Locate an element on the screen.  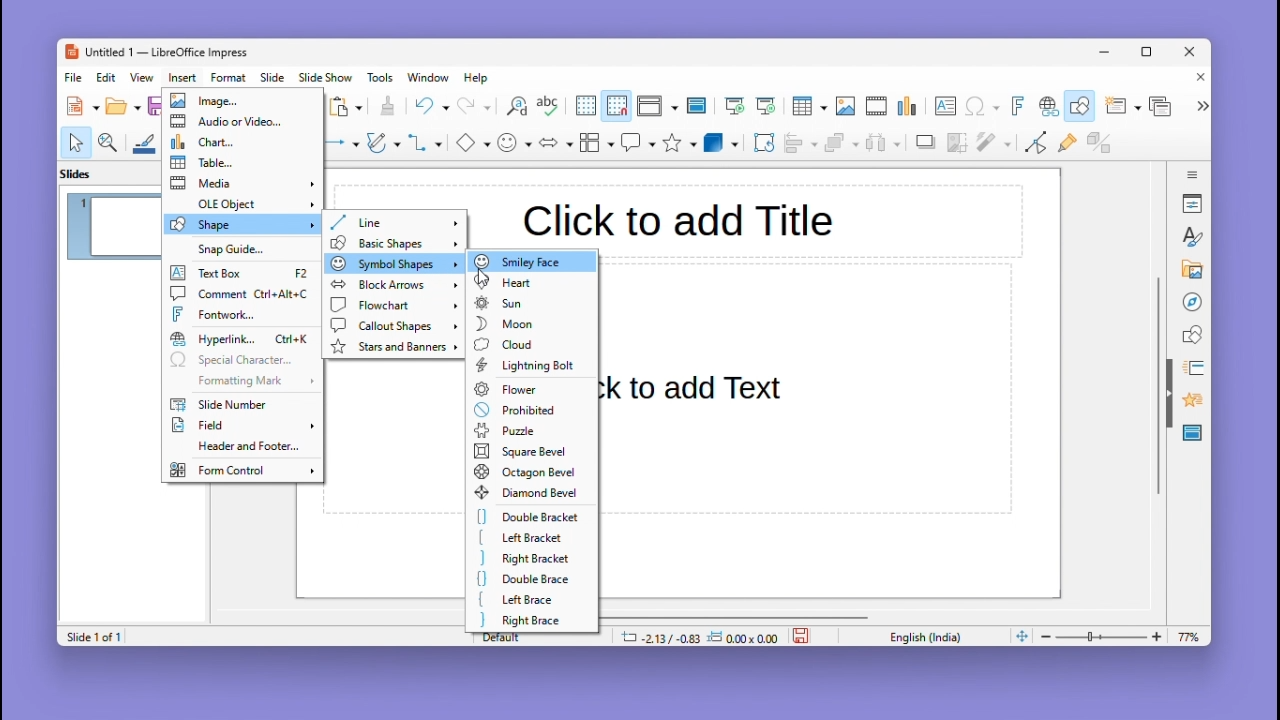
Smiley face is located at coordinates (532, 260).